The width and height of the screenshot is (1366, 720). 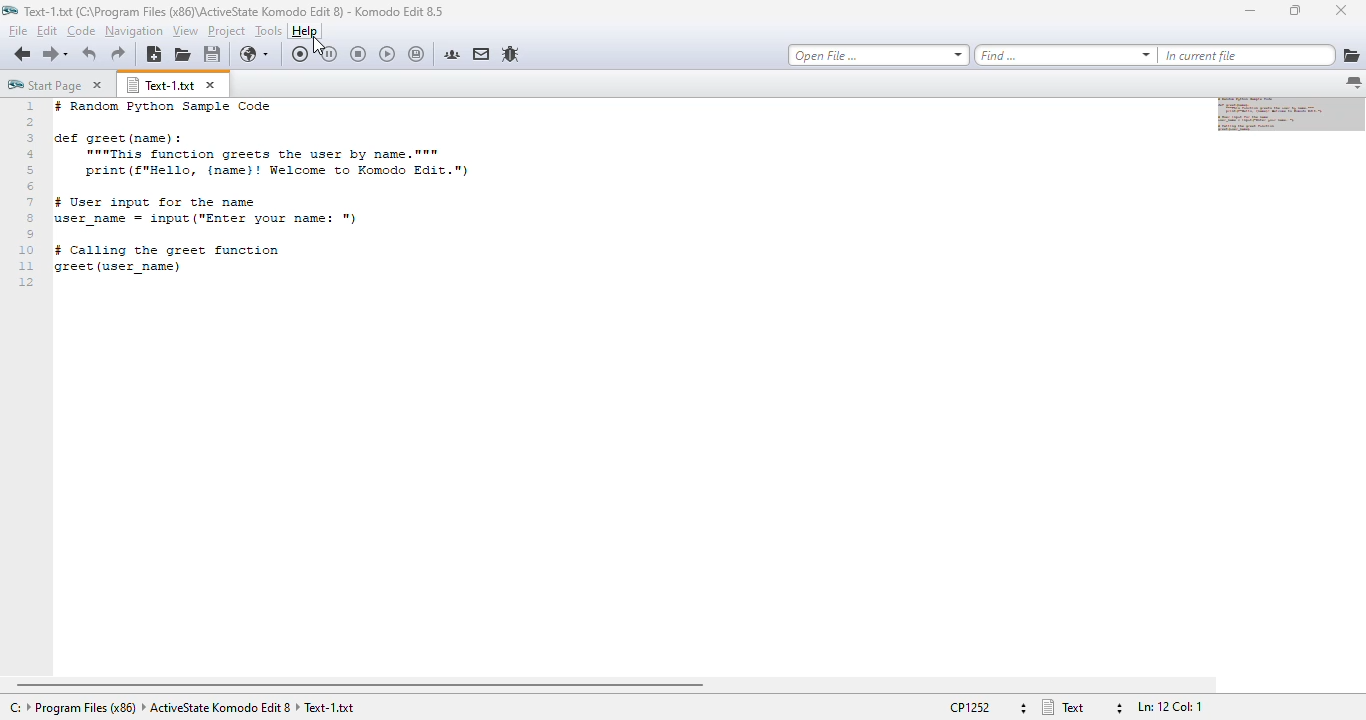 What do you see at coordinates (182, 55) in the screenshot?
I see `open file` at bounding box center [182, 55].